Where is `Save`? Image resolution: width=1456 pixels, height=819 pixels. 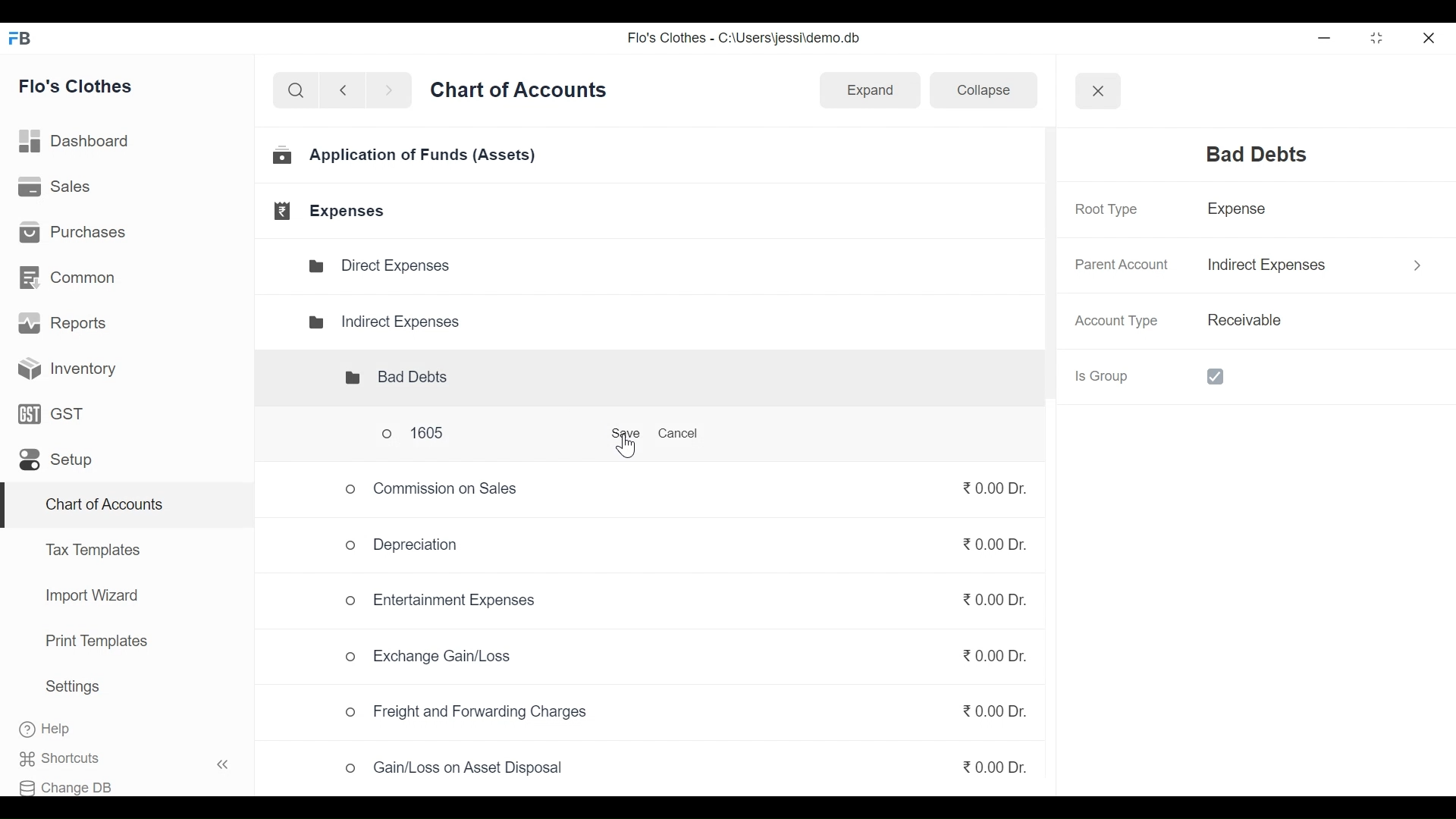 Save is located at coordinates (620, 437).